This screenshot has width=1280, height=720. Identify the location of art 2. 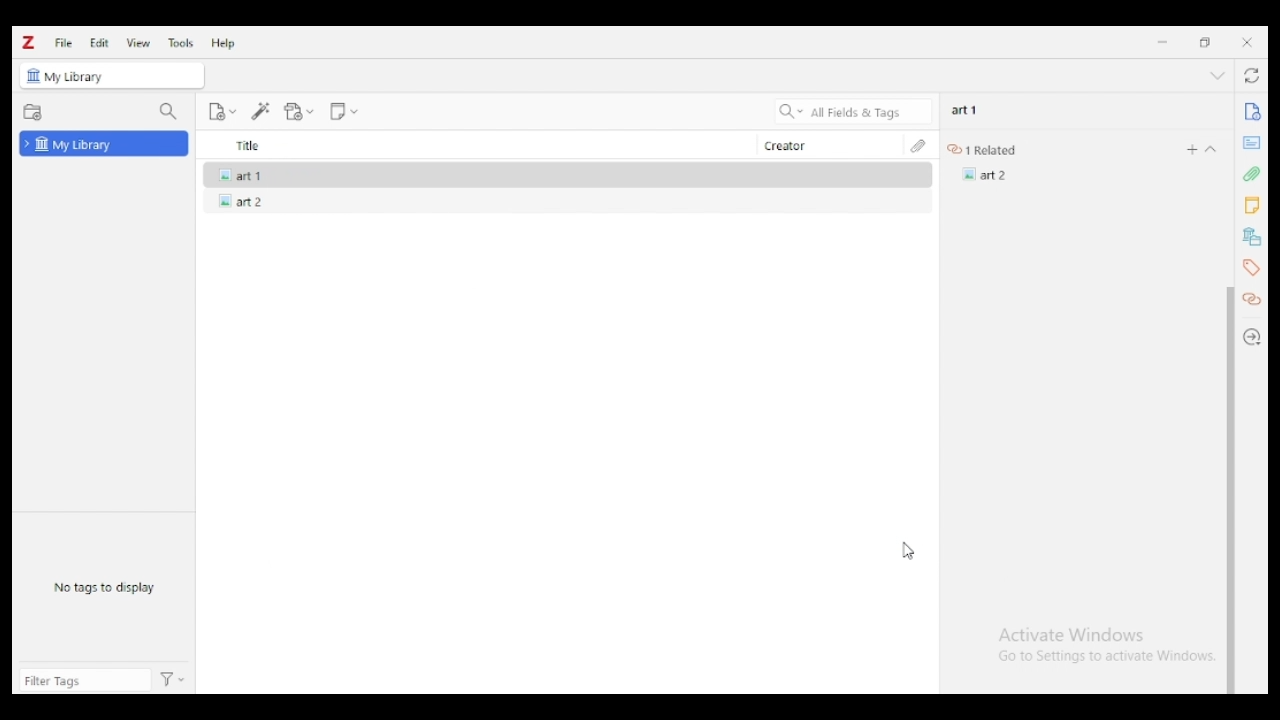
(237, 201).